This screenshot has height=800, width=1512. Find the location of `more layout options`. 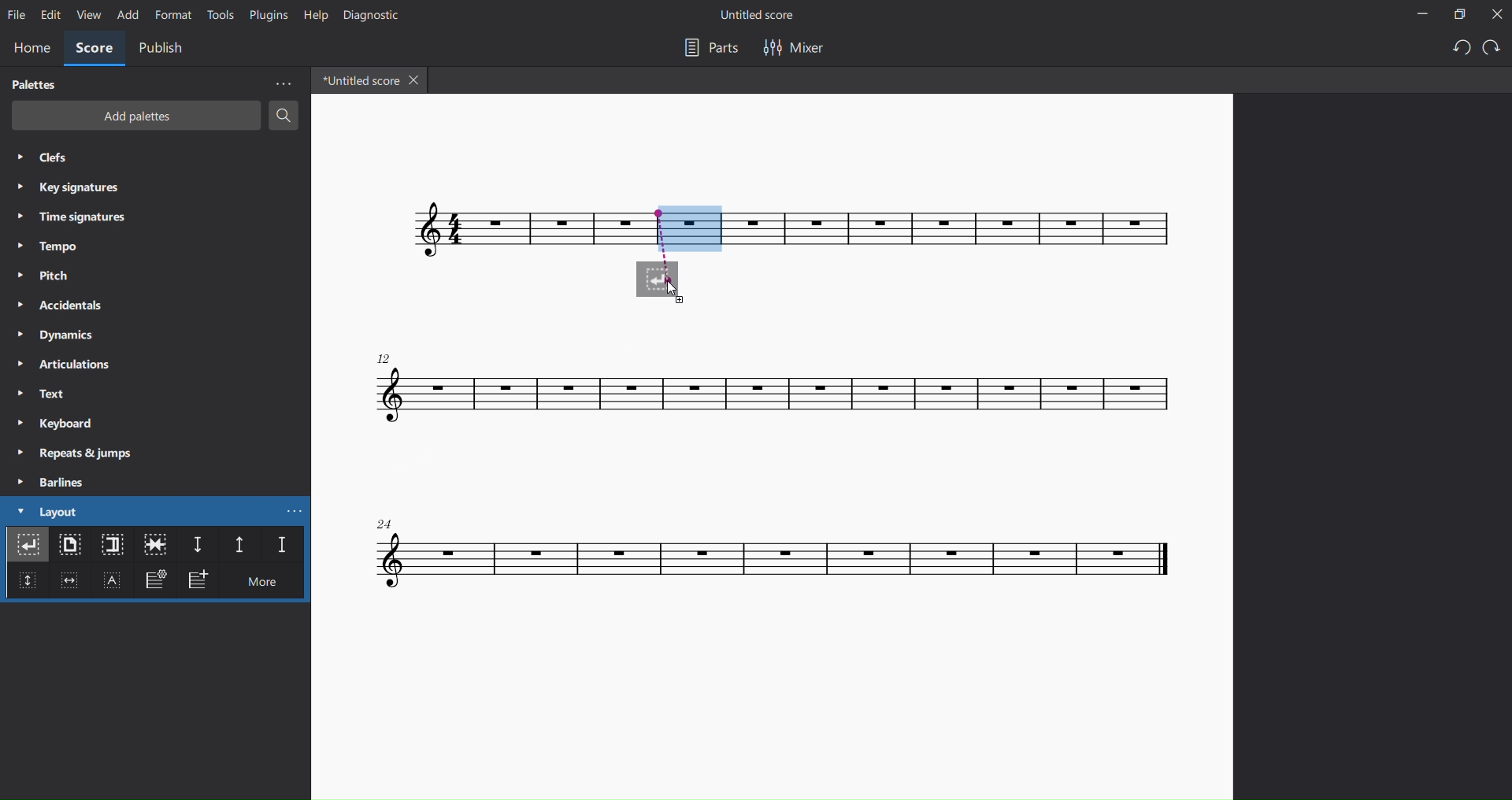

more layout options is located at coordinates (298, 510).